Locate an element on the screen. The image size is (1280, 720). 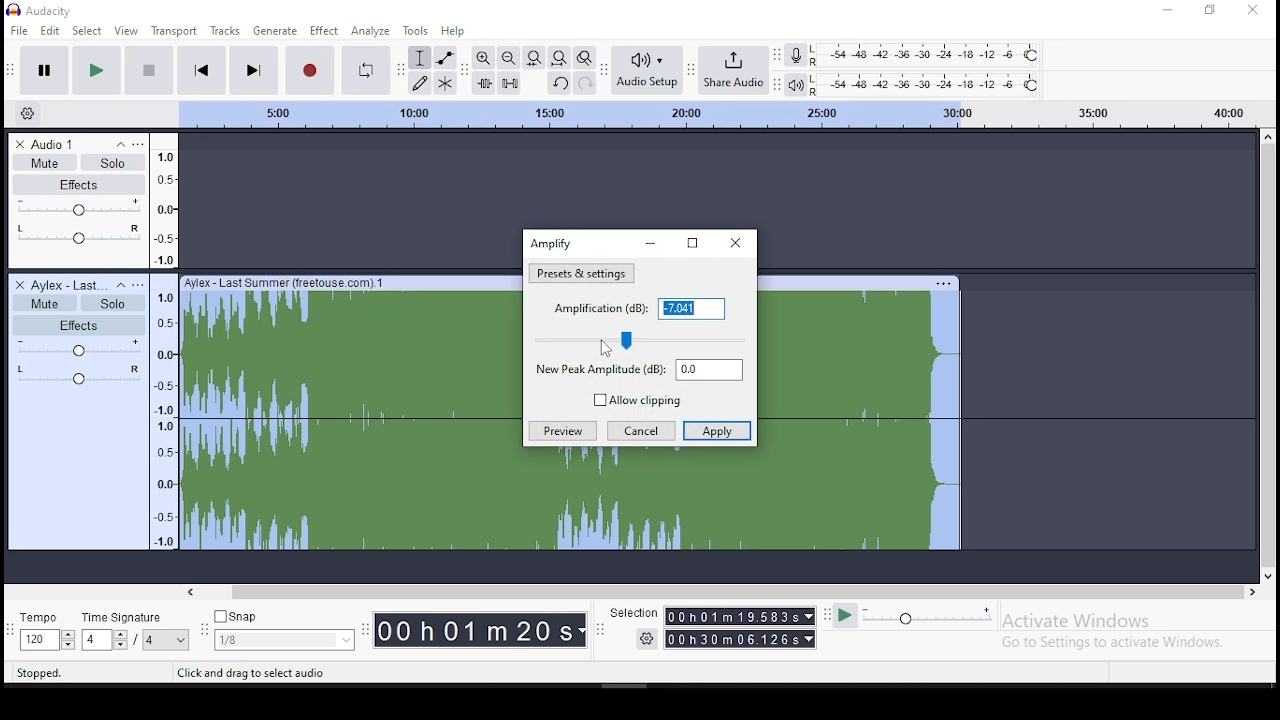
audio track name is located at coordinates (69, 142).